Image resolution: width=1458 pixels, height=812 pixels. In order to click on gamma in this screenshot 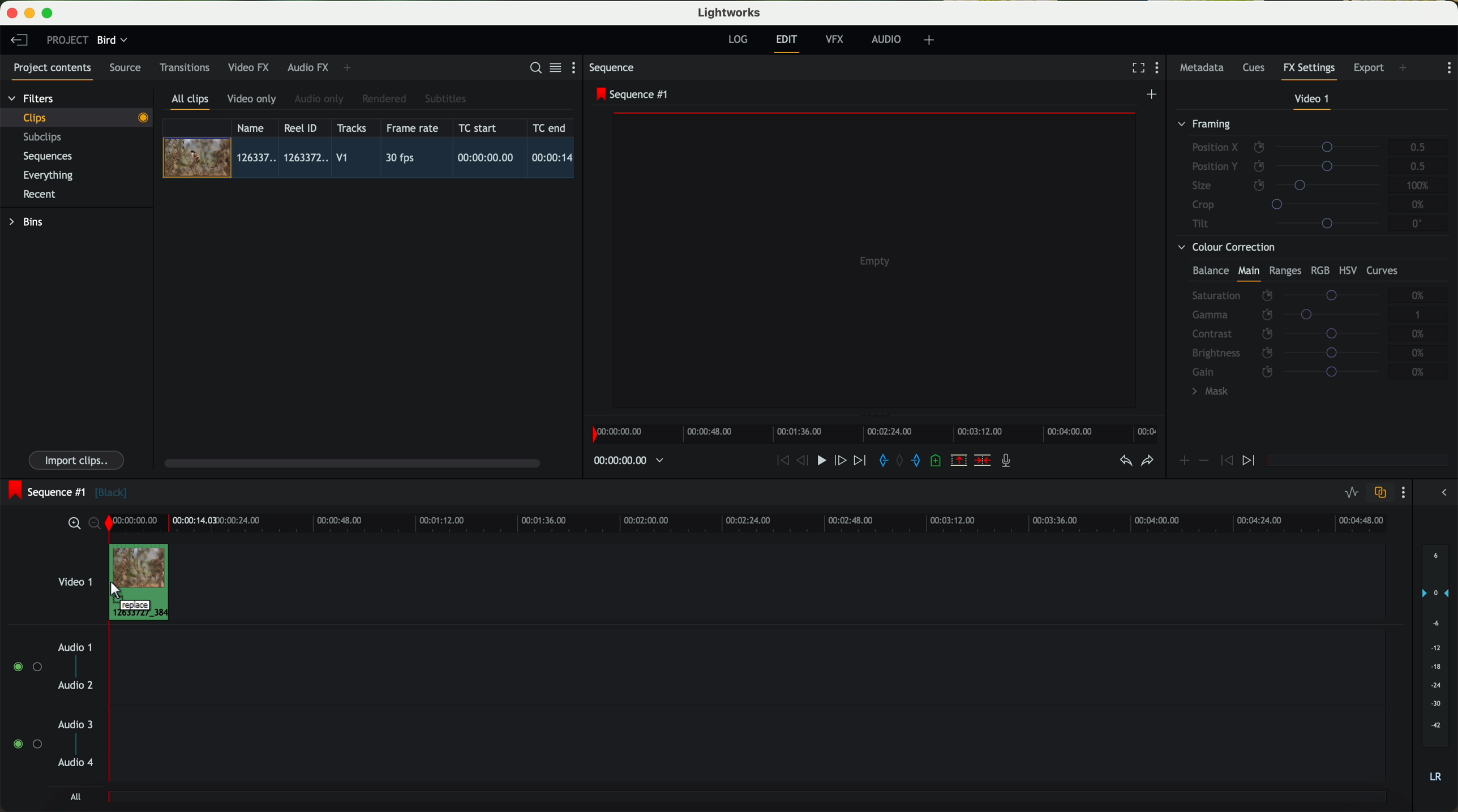, I will do `click(1292, 314)`.